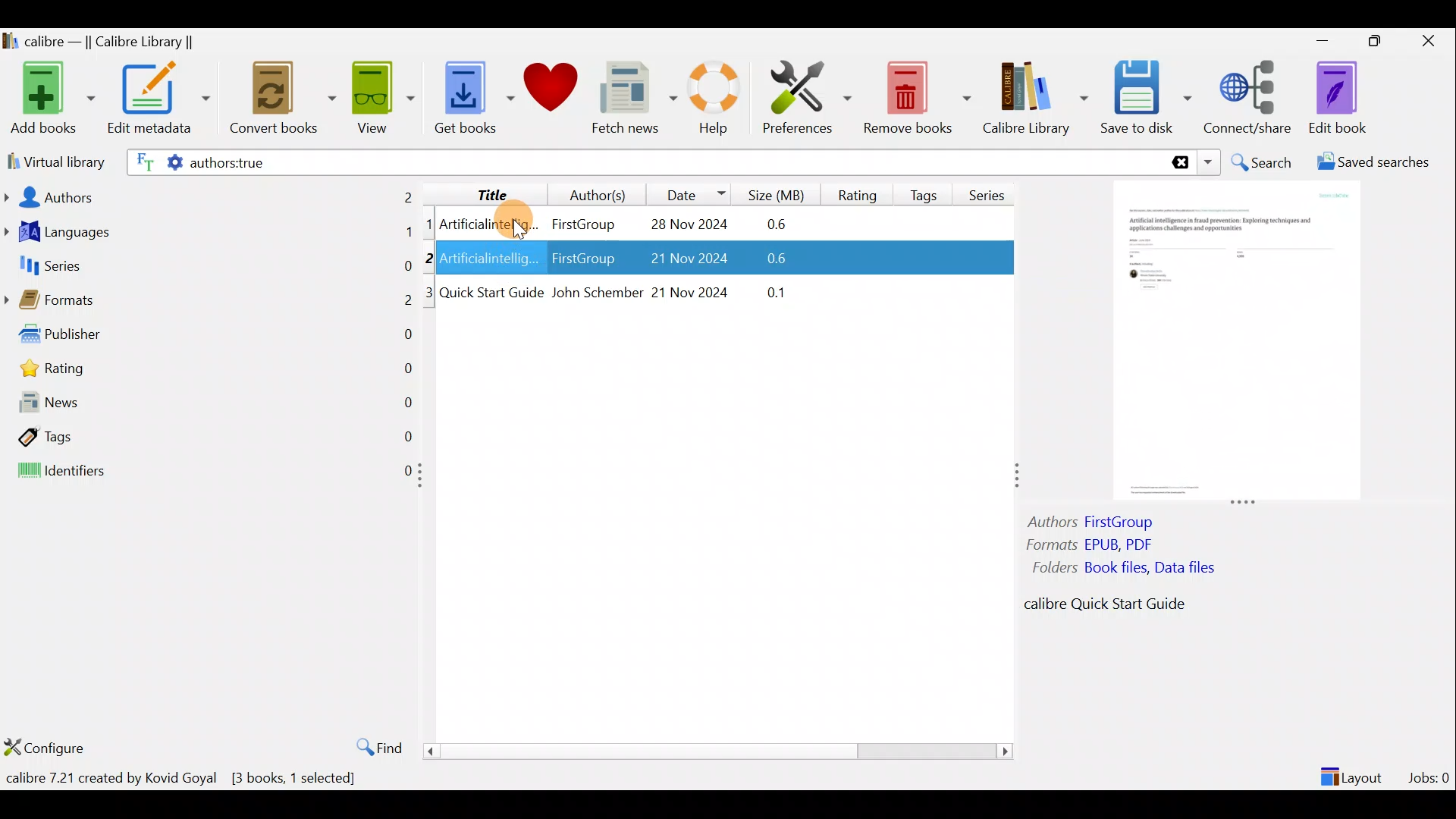 This screenshot has height=819, width=1456. What do you see at coordinates (711, 100) in the screenshot?
I see `Help` at bounding box center [711, 100].